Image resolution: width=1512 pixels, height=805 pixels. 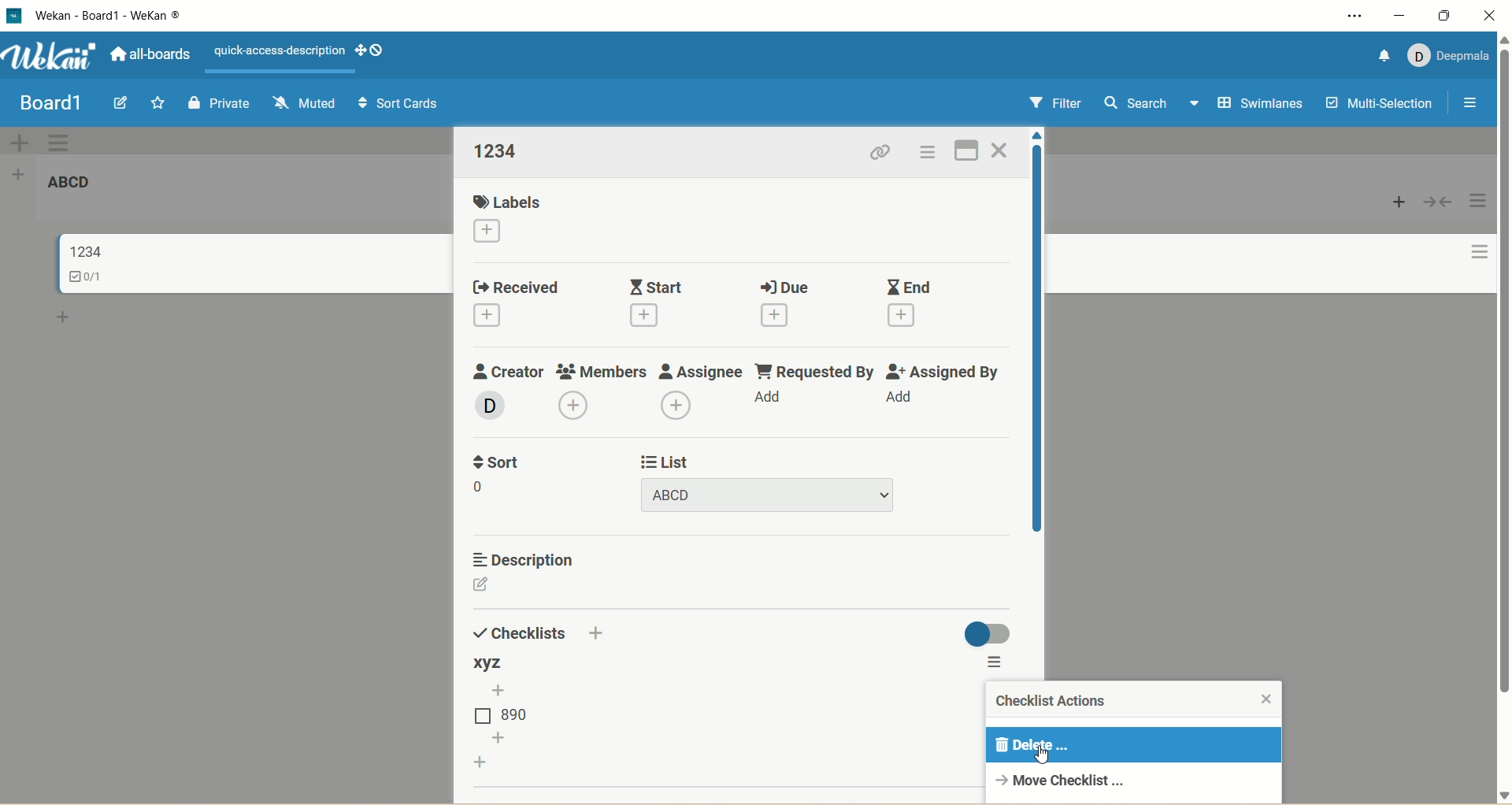 I want to click on search, so click(x=1152, y=106).